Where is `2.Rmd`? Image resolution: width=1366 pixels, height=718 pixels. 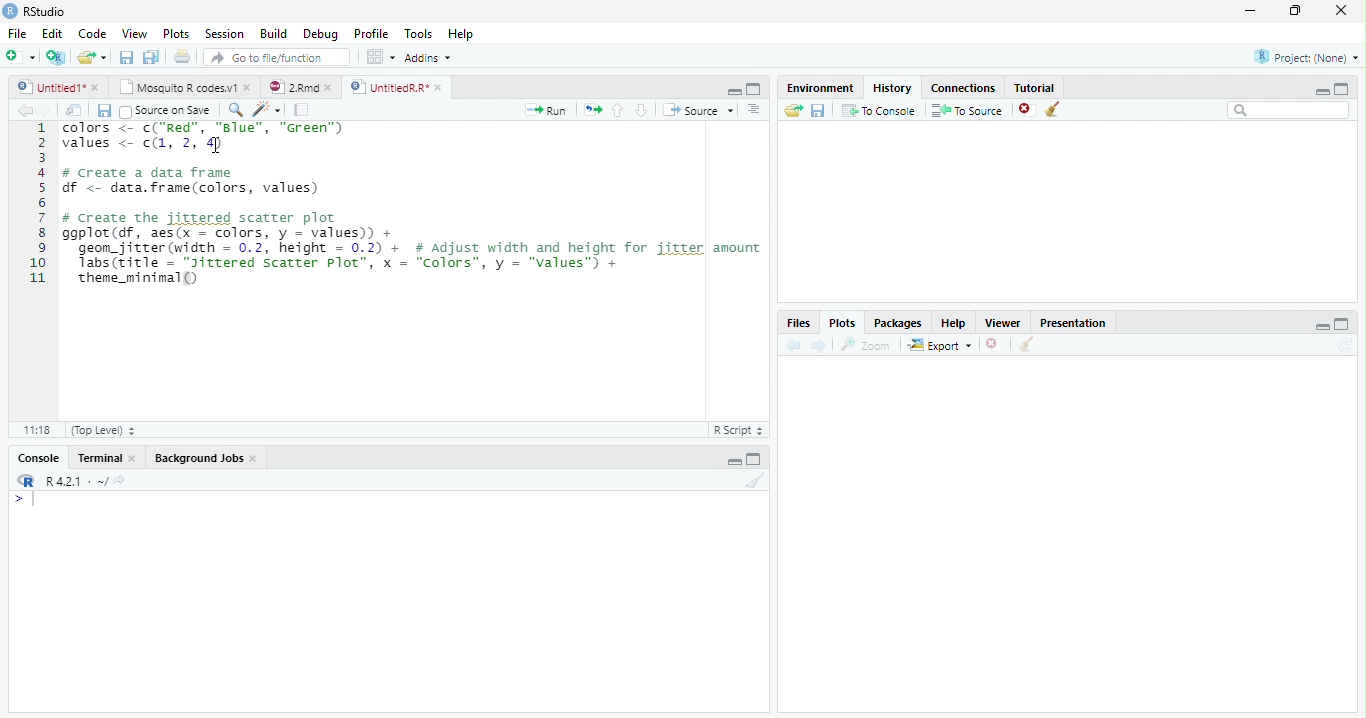
2.Rmd is located at coordinates (291, 87).